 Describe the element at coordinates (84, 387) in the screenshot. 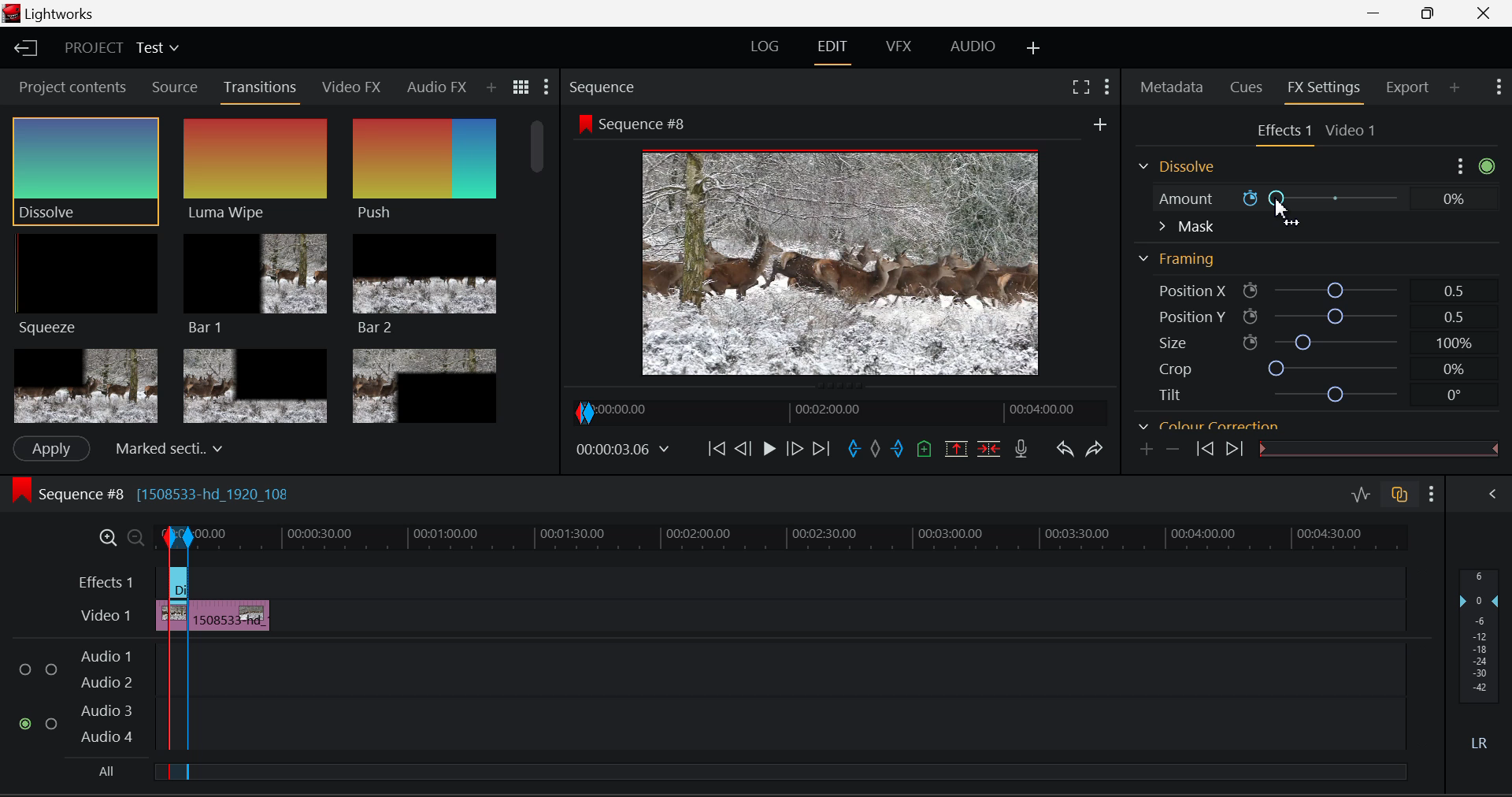

I see `Box 1` at that location.